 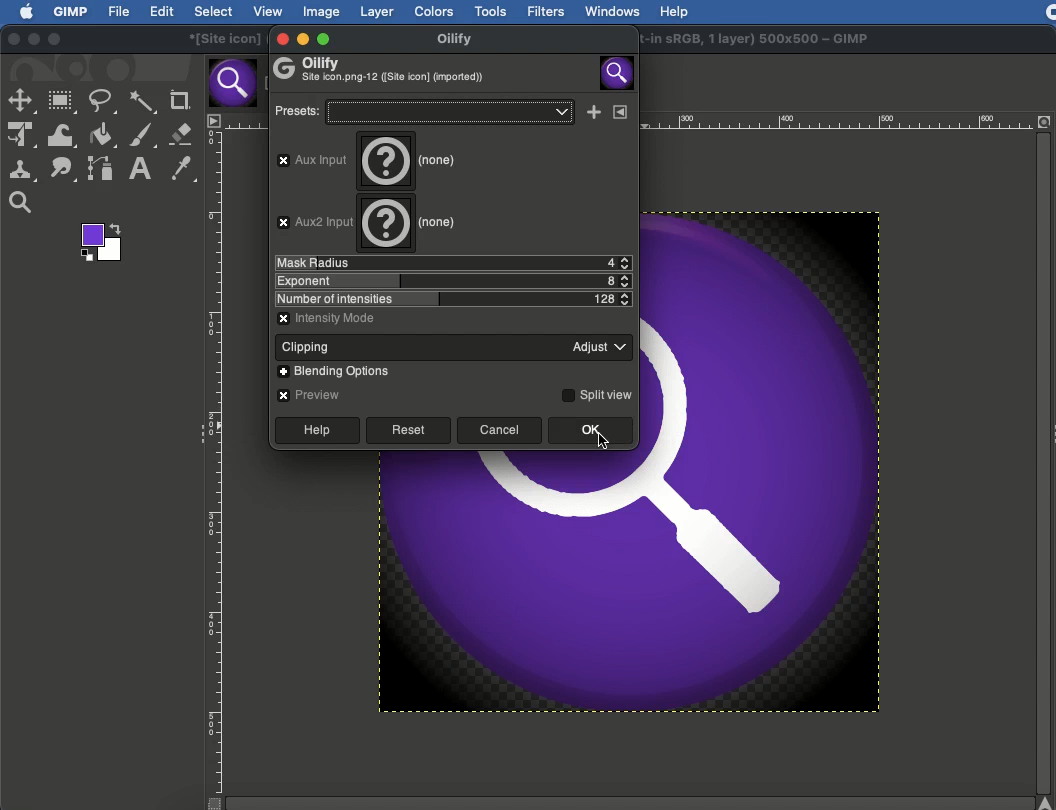 I want to click on Tab, so click(x=231, y=83).